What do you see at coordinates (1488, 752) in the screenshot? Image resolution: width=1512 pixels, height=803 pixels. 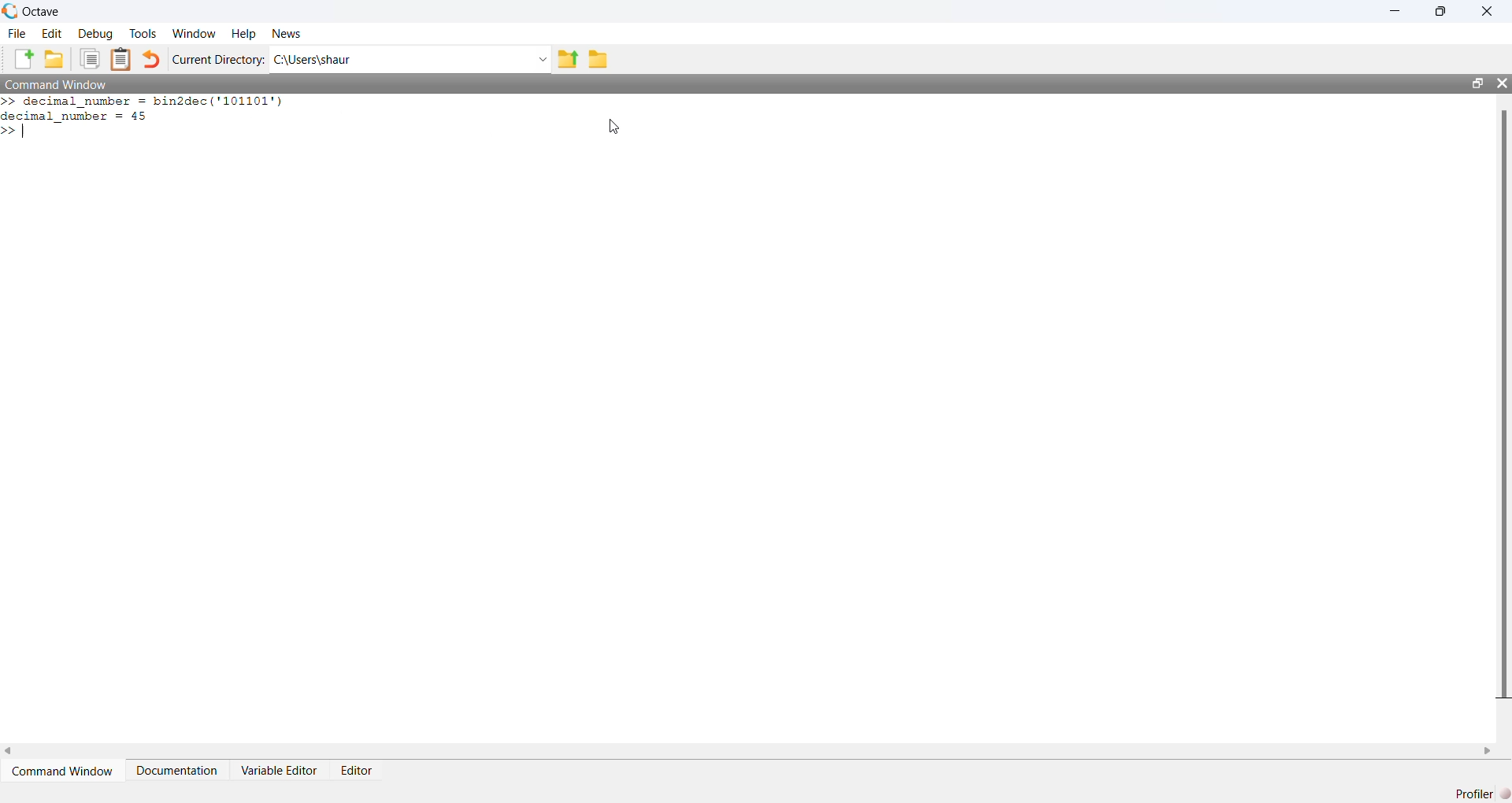 I see `scroll right` at bounding box center [1488, 752].